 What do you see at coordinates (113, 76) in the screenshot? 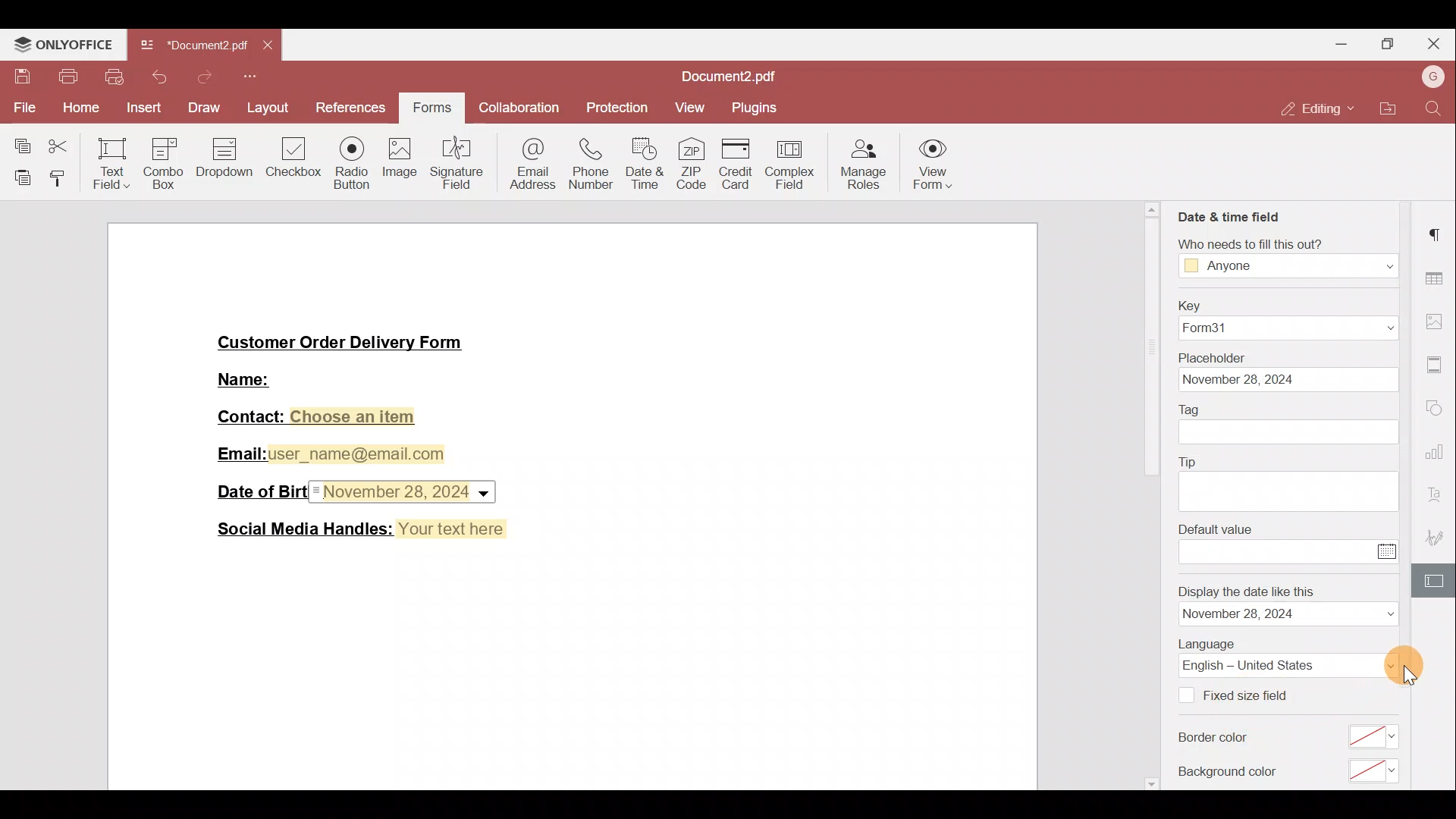
I see `Quick print` at bounding box center [113, 76].